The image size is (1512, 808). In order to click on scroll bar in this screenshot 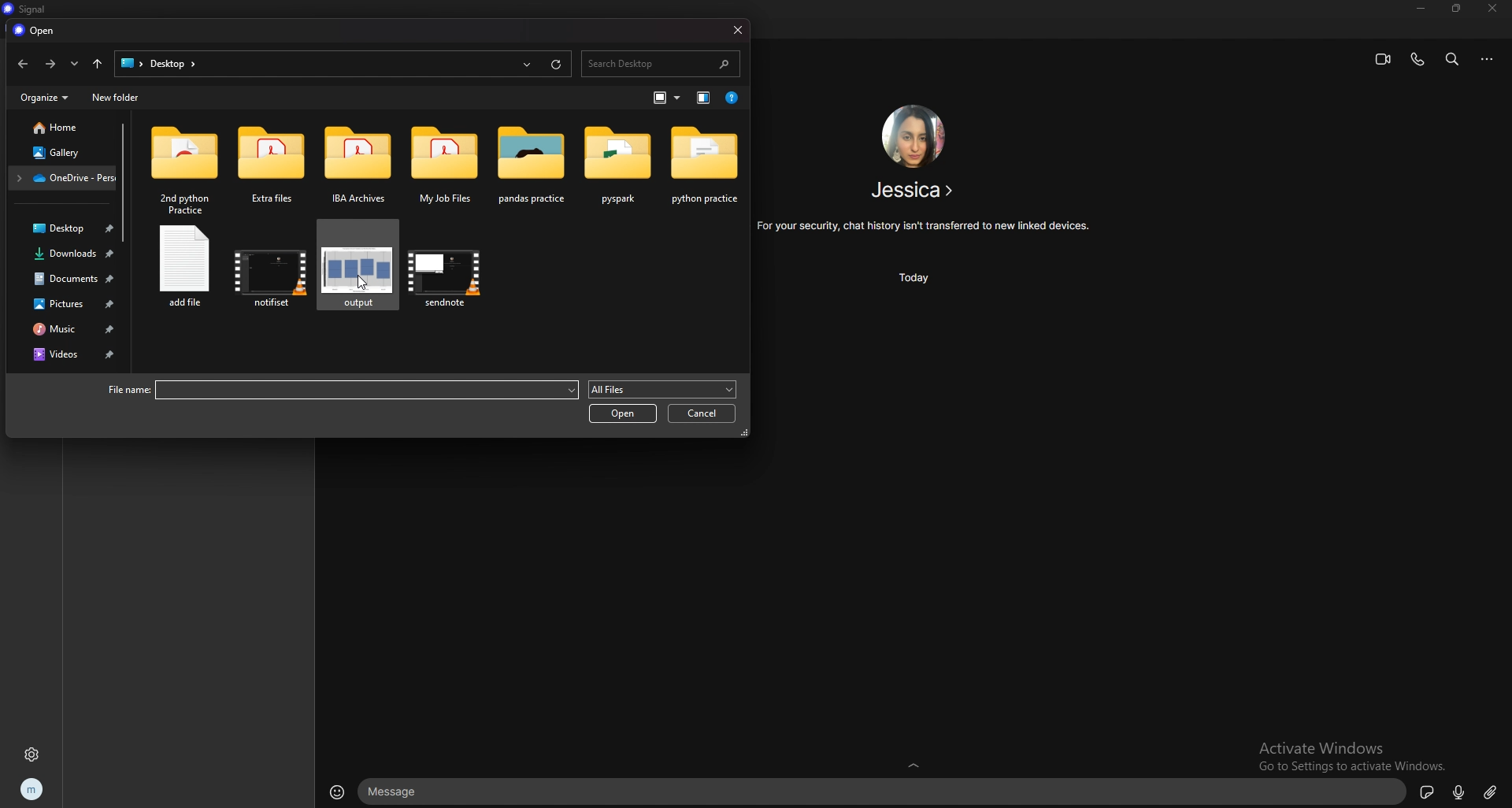, I will do `click(127, 182)`.